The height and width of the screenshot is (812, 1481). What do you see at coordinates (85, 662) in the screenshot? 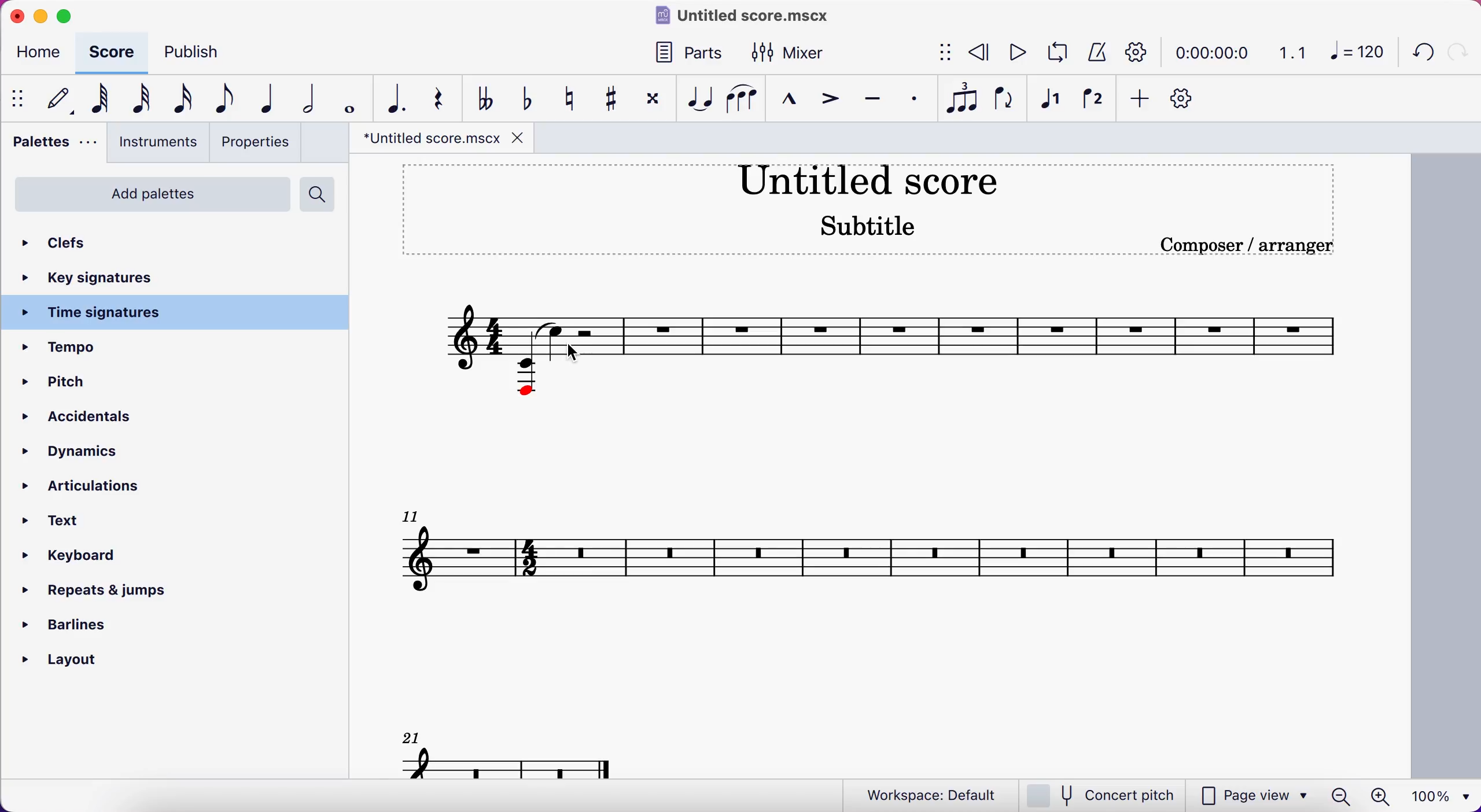
I see `layout` at bounding box center [85, 662].